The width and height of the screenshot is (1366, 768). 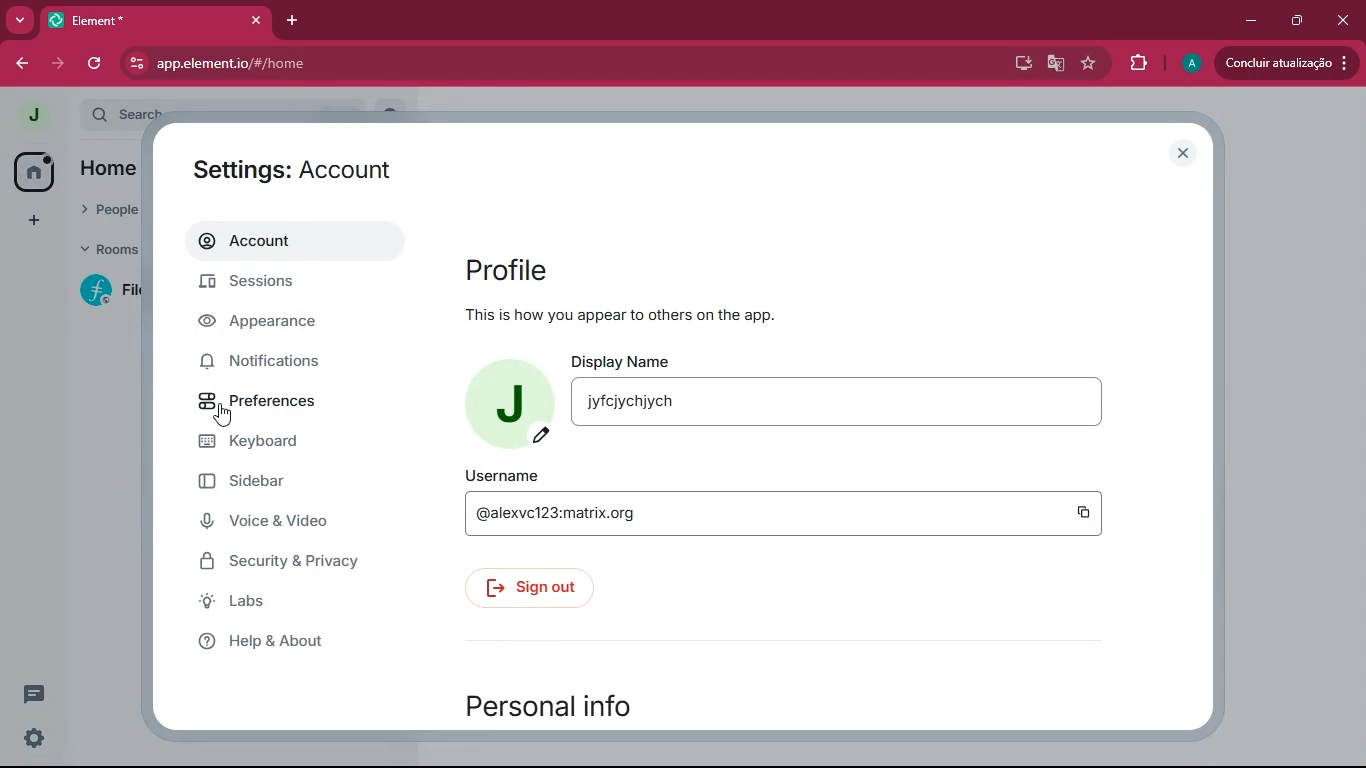 What do you see at coordinates (748, 513) in the screenshot?
I see `@alexvc123:matrix.org` at bounding box center [748, 513].